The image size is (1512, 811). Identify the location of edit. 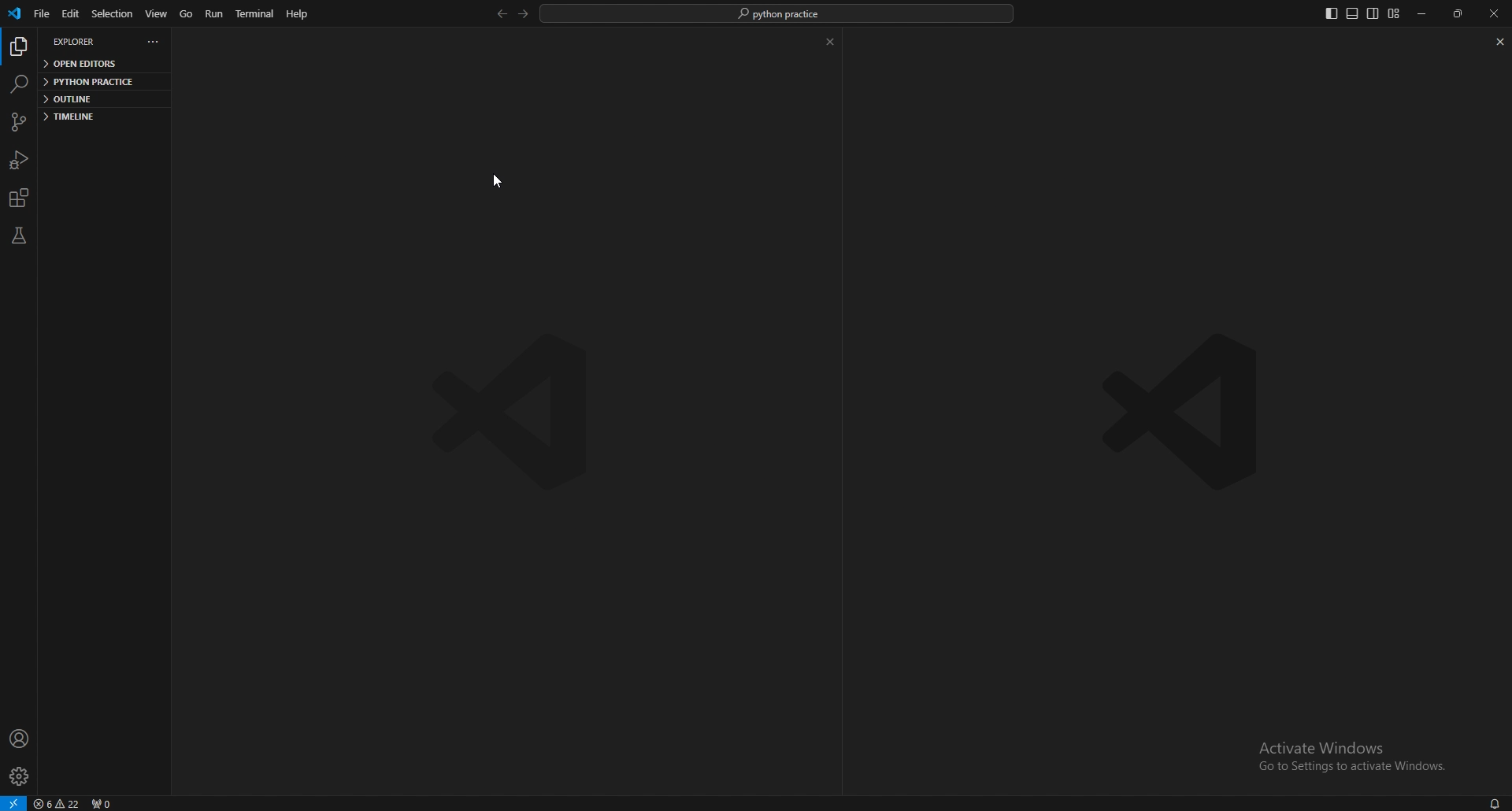
(69, 13).